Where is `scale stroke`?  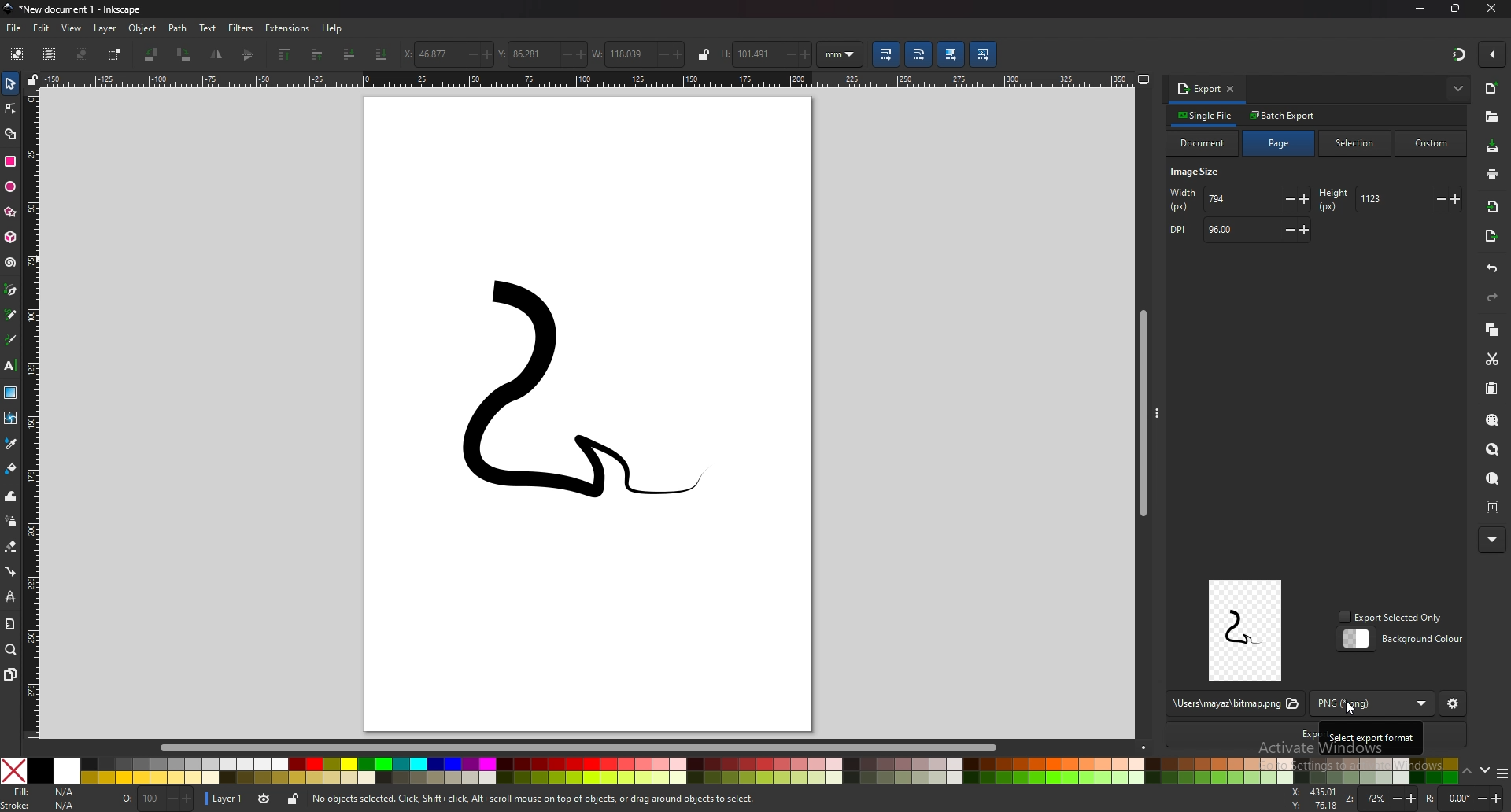 scale stroke is located at coordinates (885, 54).